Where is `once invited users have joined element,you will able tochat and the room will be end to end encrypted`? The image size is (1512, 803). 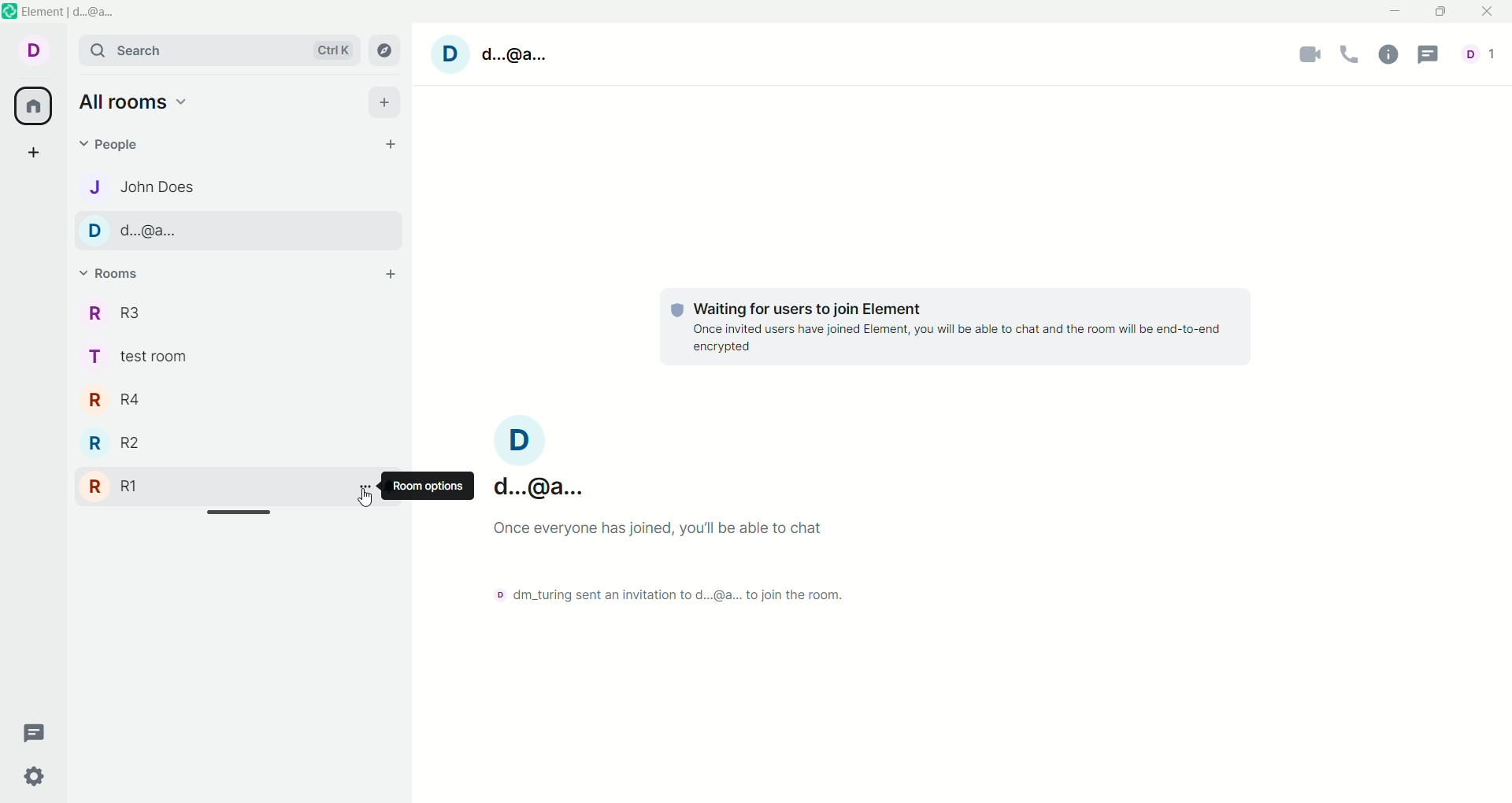 once invited users have joined element,you will able tochat and the room will be end to end encrypted is located at coordinates (963, 342).